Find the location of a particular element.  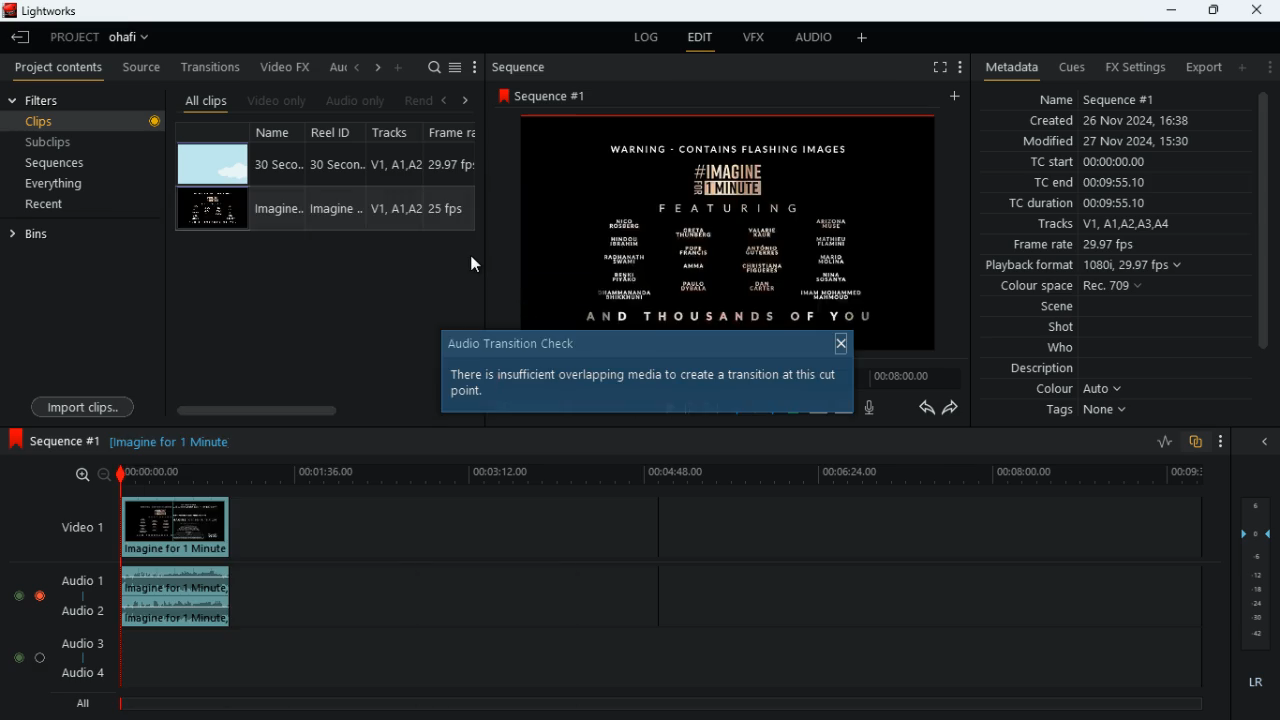

tc duration is located at coordinates (1091, 203).